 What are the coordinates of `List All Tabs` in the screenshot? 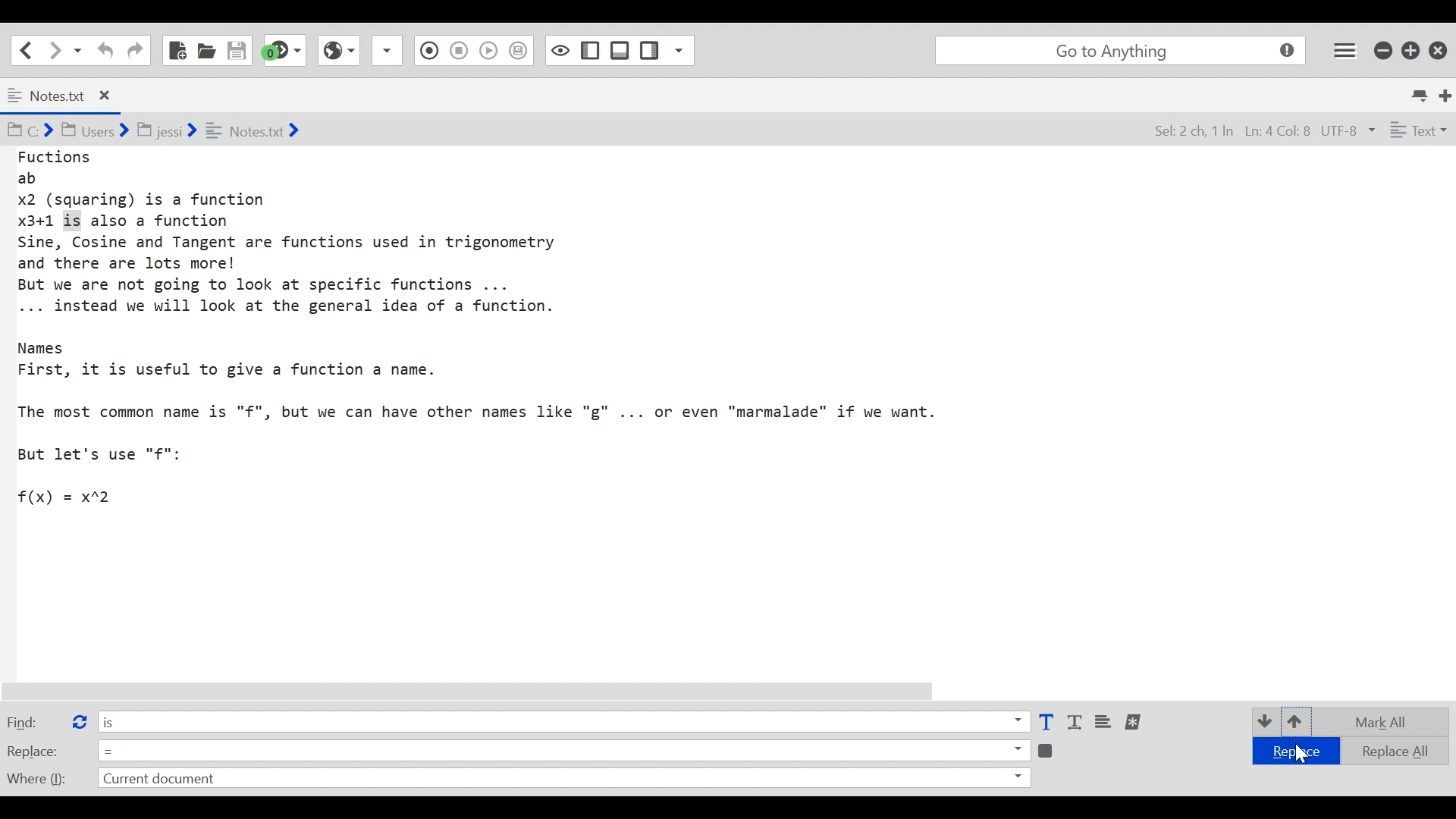 It's located at (1421, 93).